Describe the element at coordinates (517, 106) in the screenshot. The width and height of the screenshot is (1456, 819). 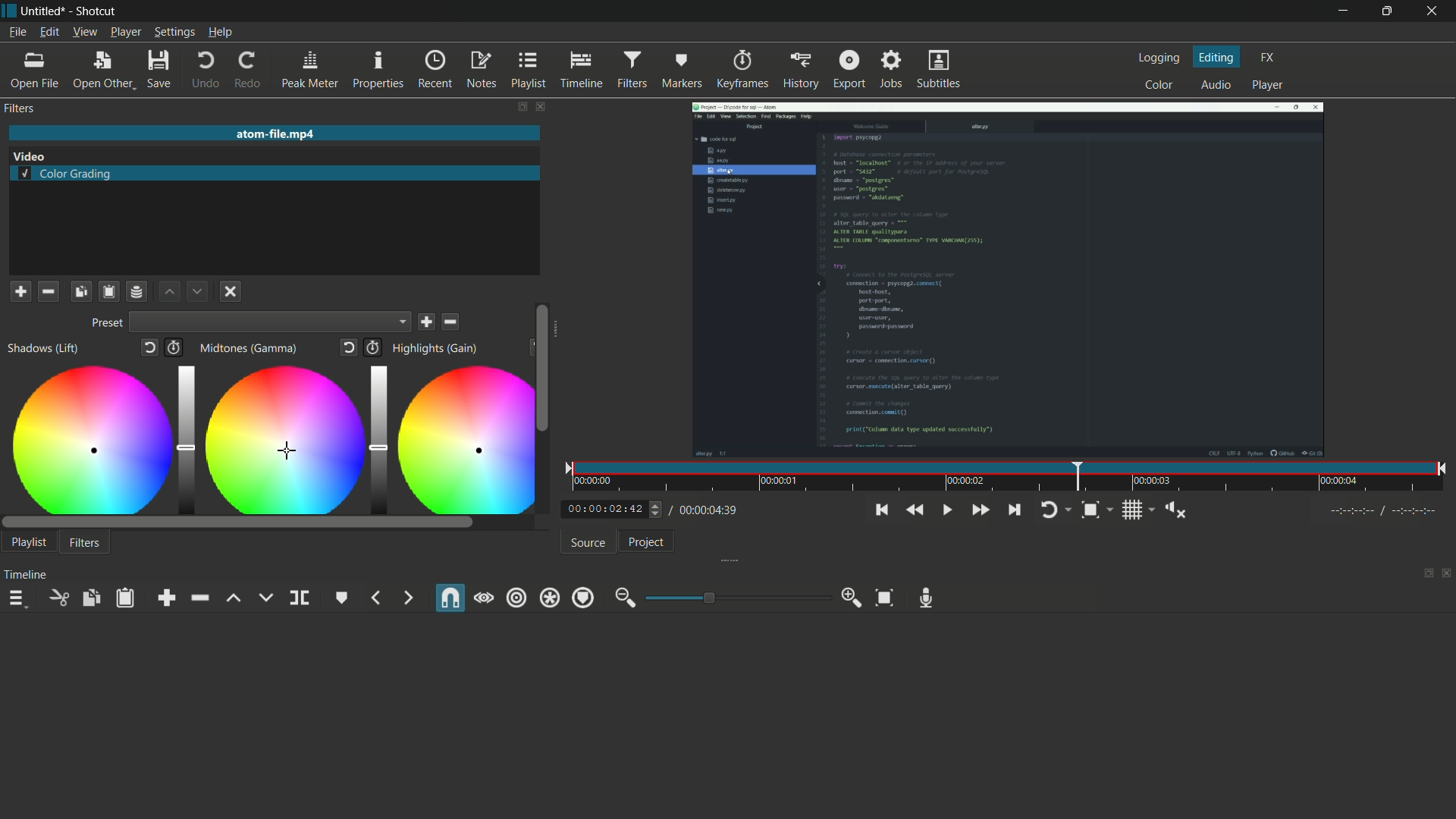
I see `change layout` at that location.